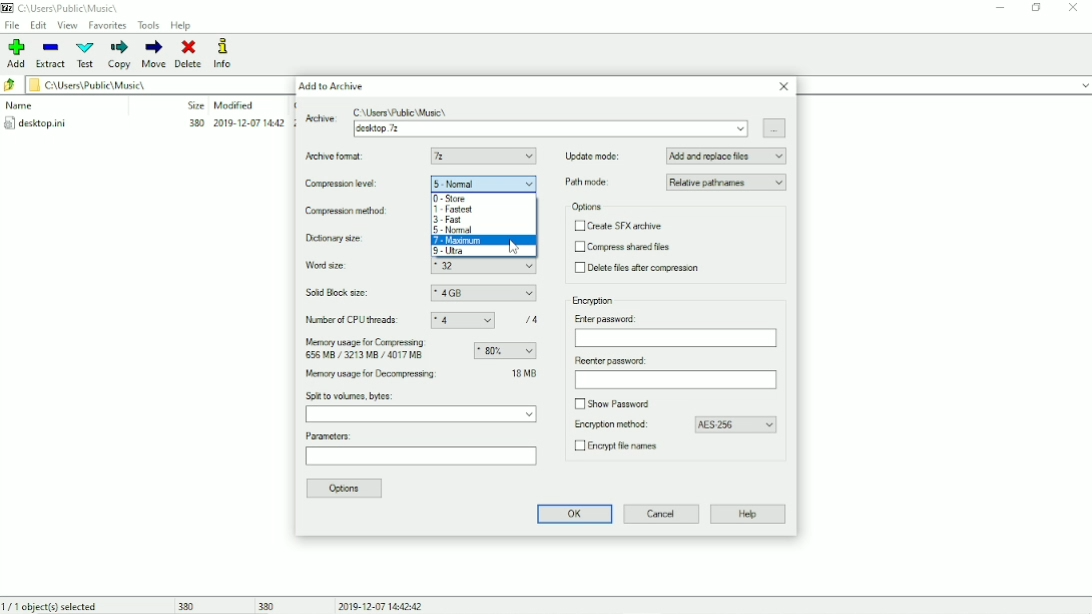  I want to click on Relative pathnames, so click(727, 182).